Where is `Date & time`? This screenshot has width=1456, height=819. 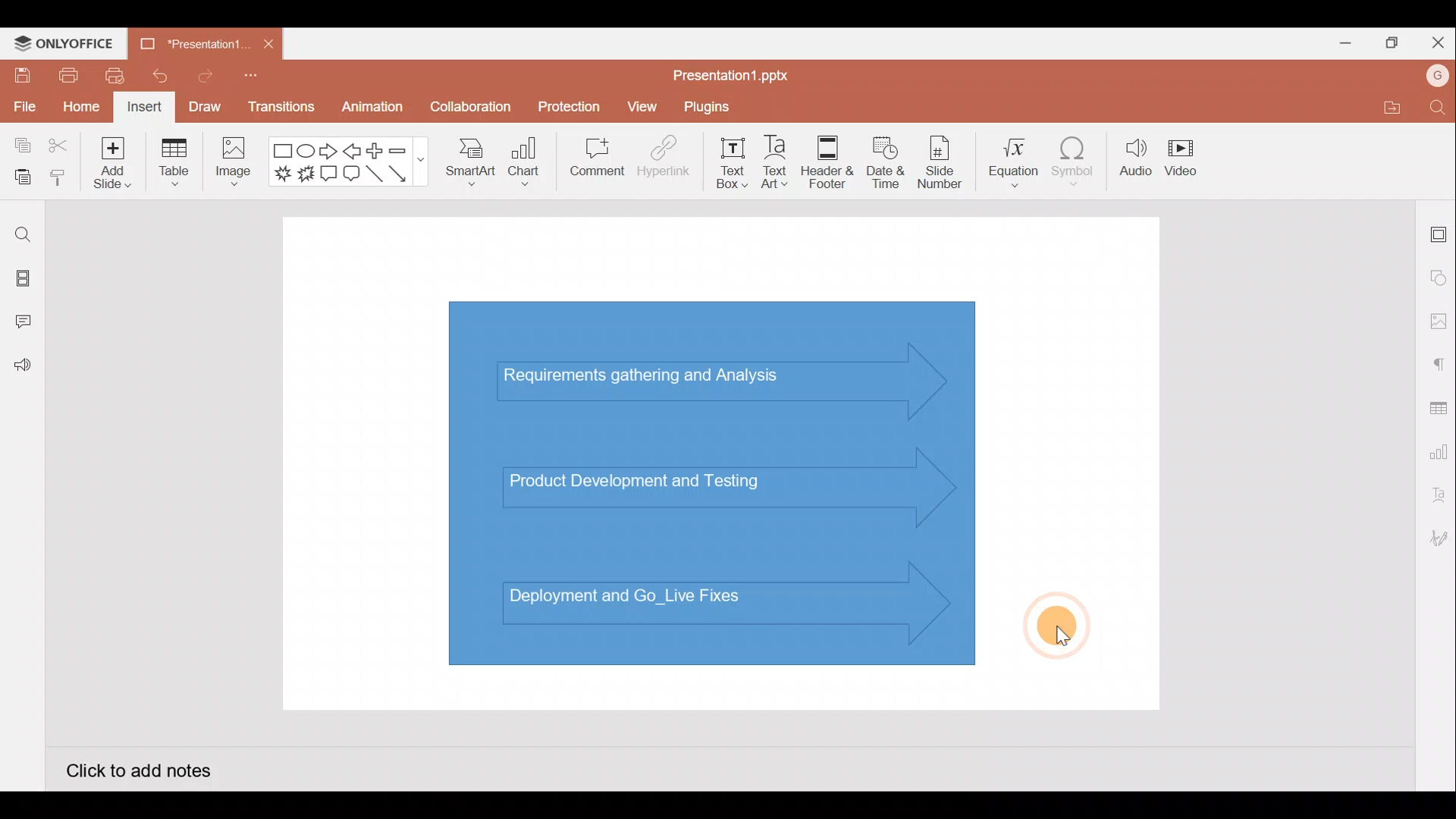 Date & time is located at coordinates (886, 162).